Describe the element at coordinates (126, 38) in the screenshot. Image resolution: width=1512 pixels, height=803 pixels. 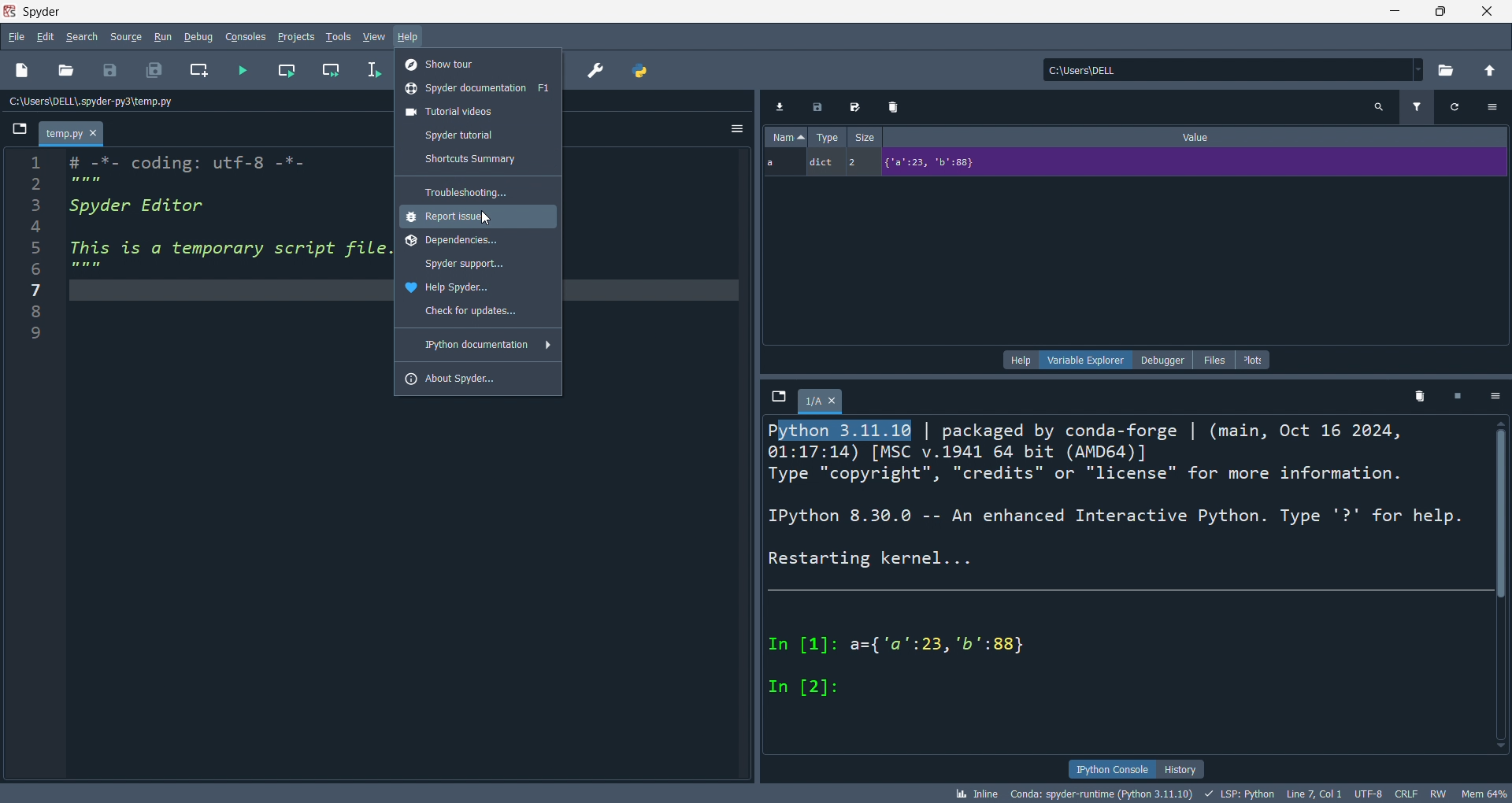
I see `source` at that location.